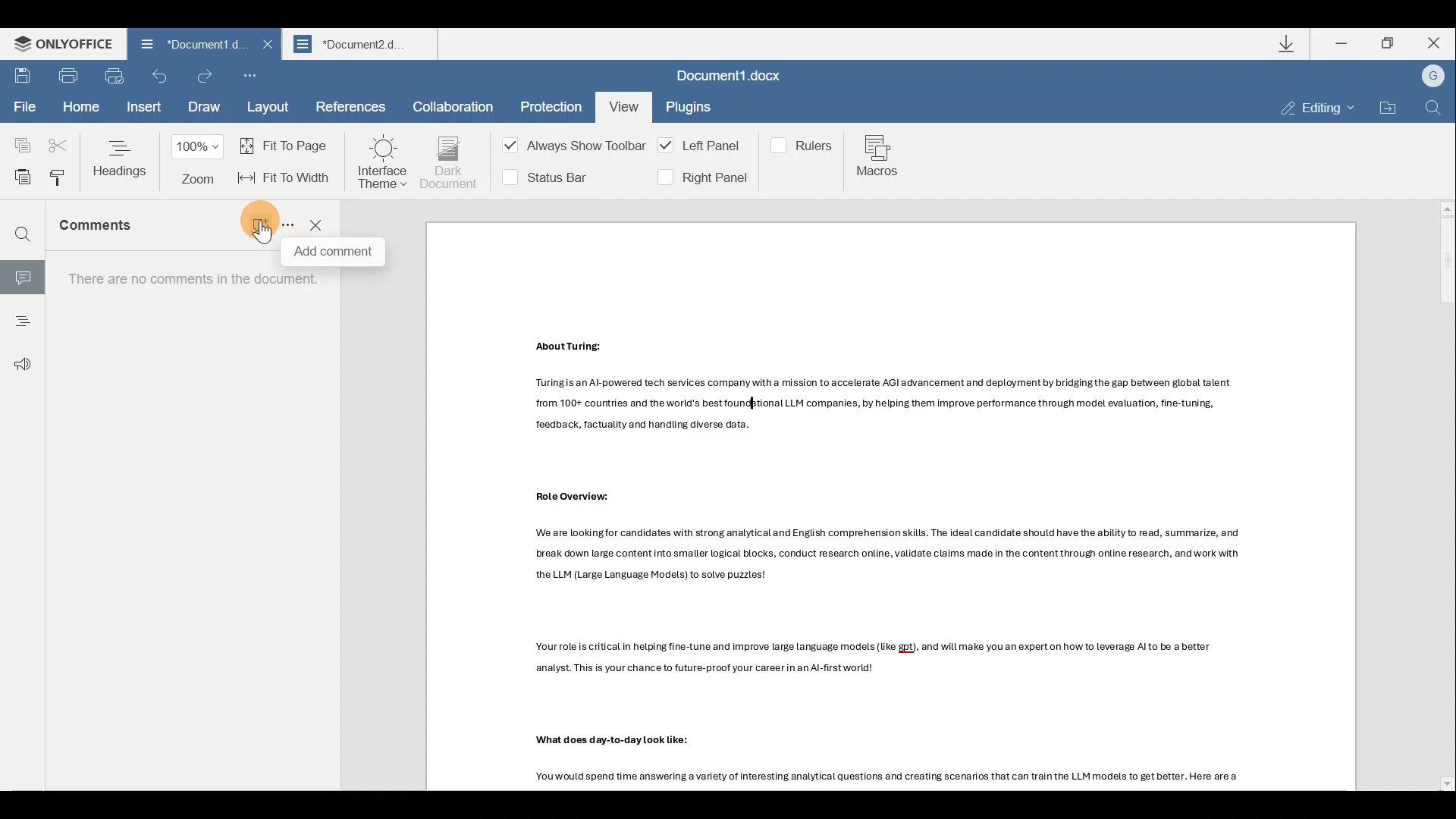 The width and height of the screenshot is (1456, 819). I want to click on Find, so click(1433, 108).